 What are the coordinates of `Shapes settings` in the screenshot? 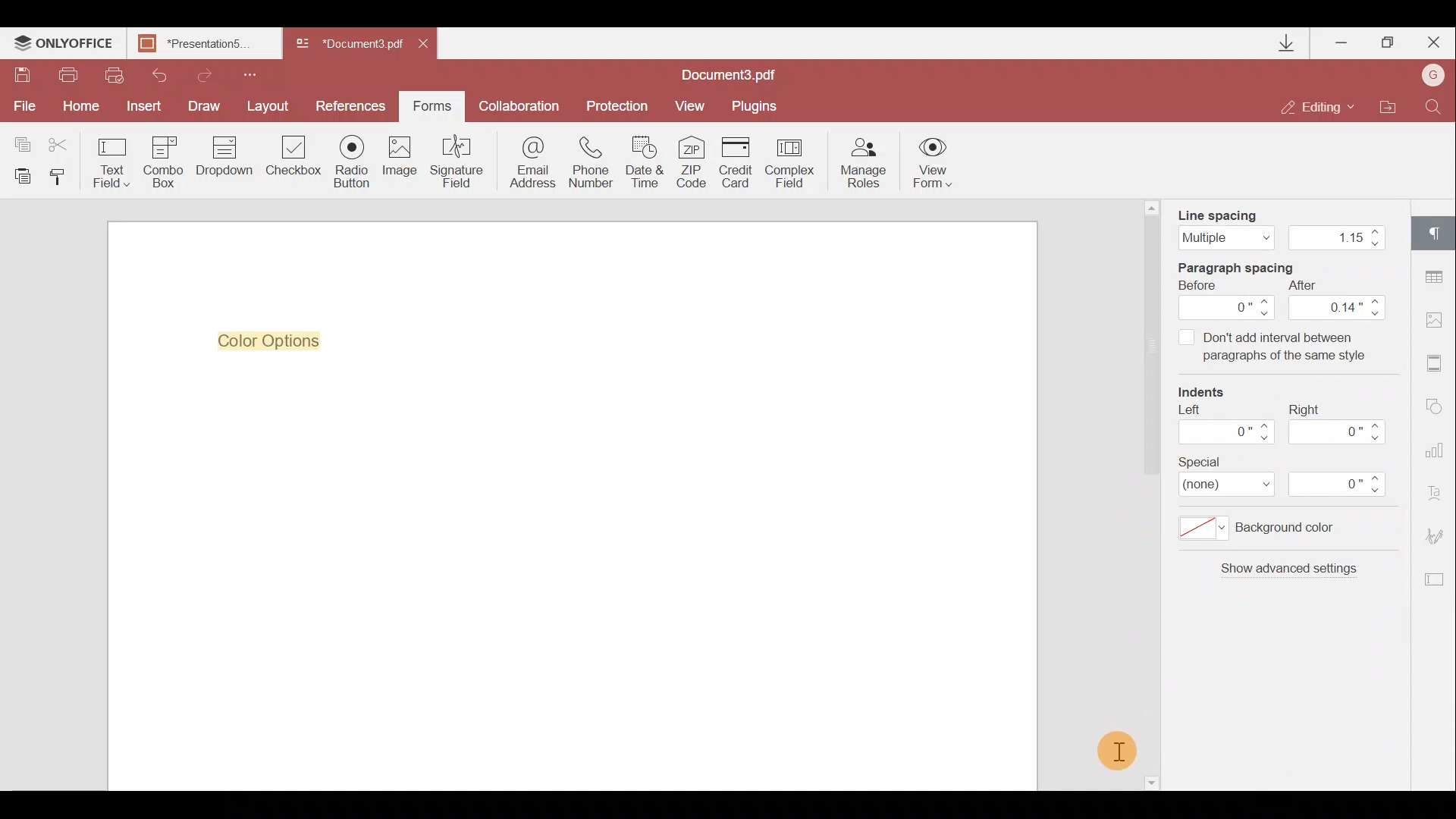 It's located at (1439, 408).